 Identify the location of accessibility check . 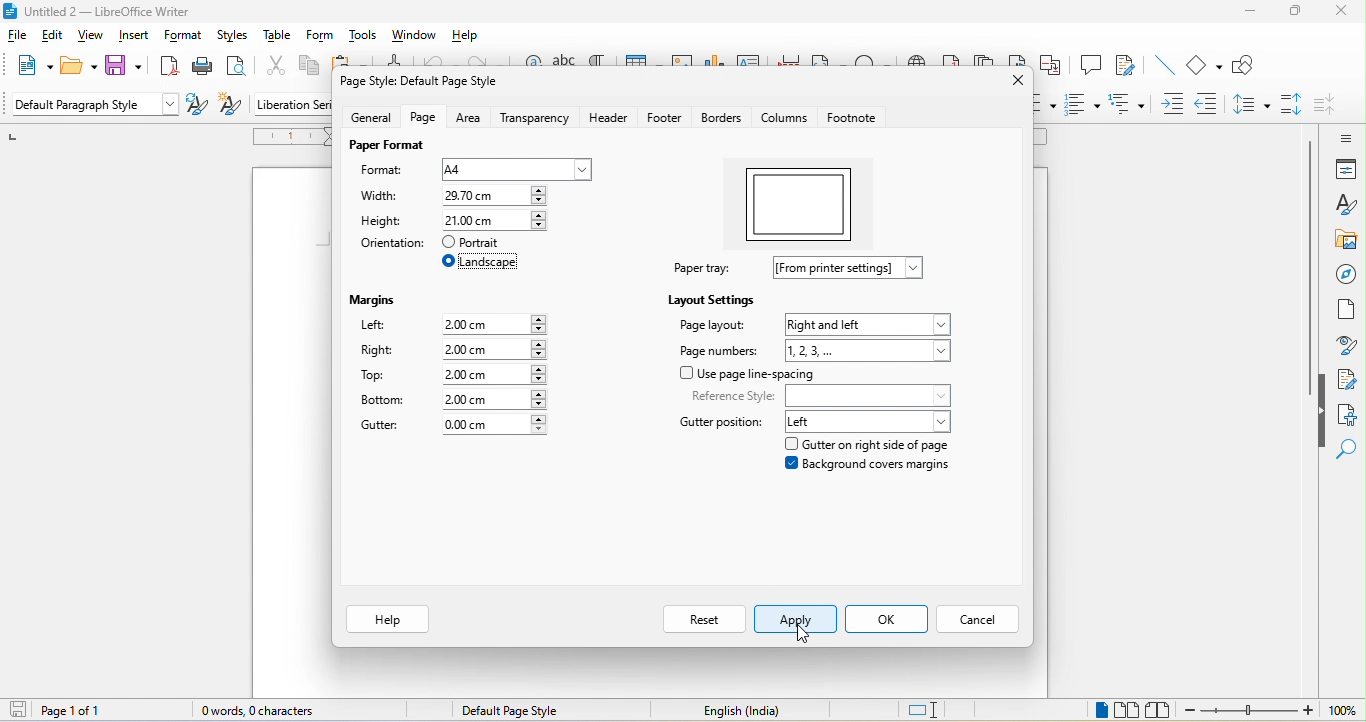
(1349, 416).